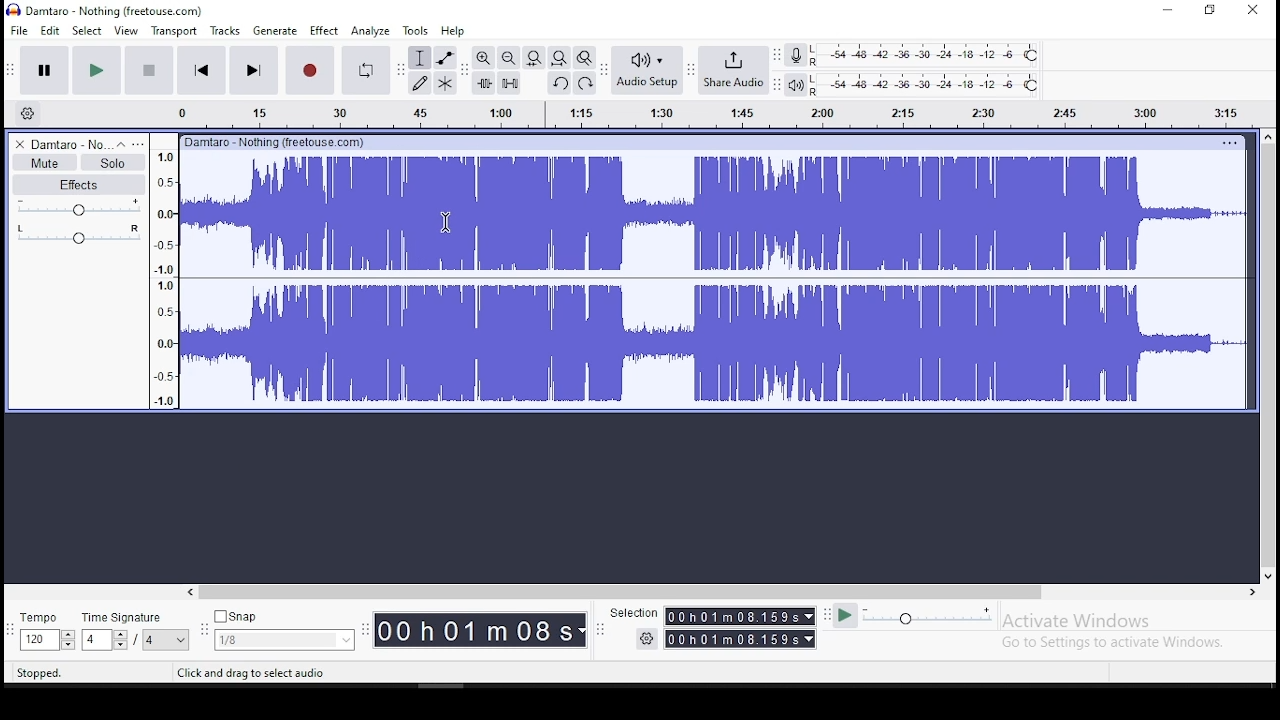  Describe the element at coordinates (364, 71) in the screenshot. I see `enable looping` at that location.